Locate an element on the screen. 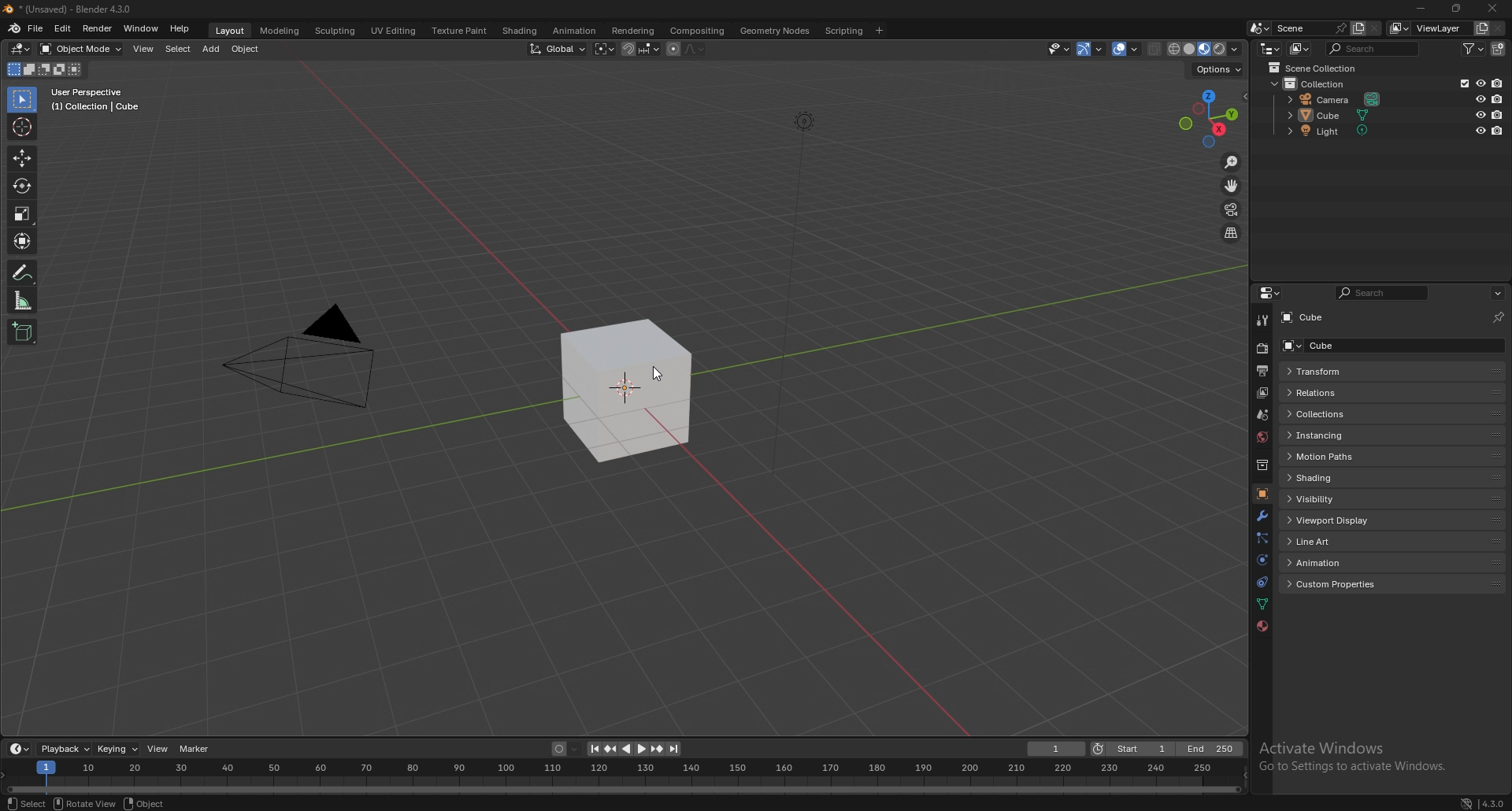 The width and height of the screenshot is (1512, 811). view layer is located at coordinates (1262, 392).